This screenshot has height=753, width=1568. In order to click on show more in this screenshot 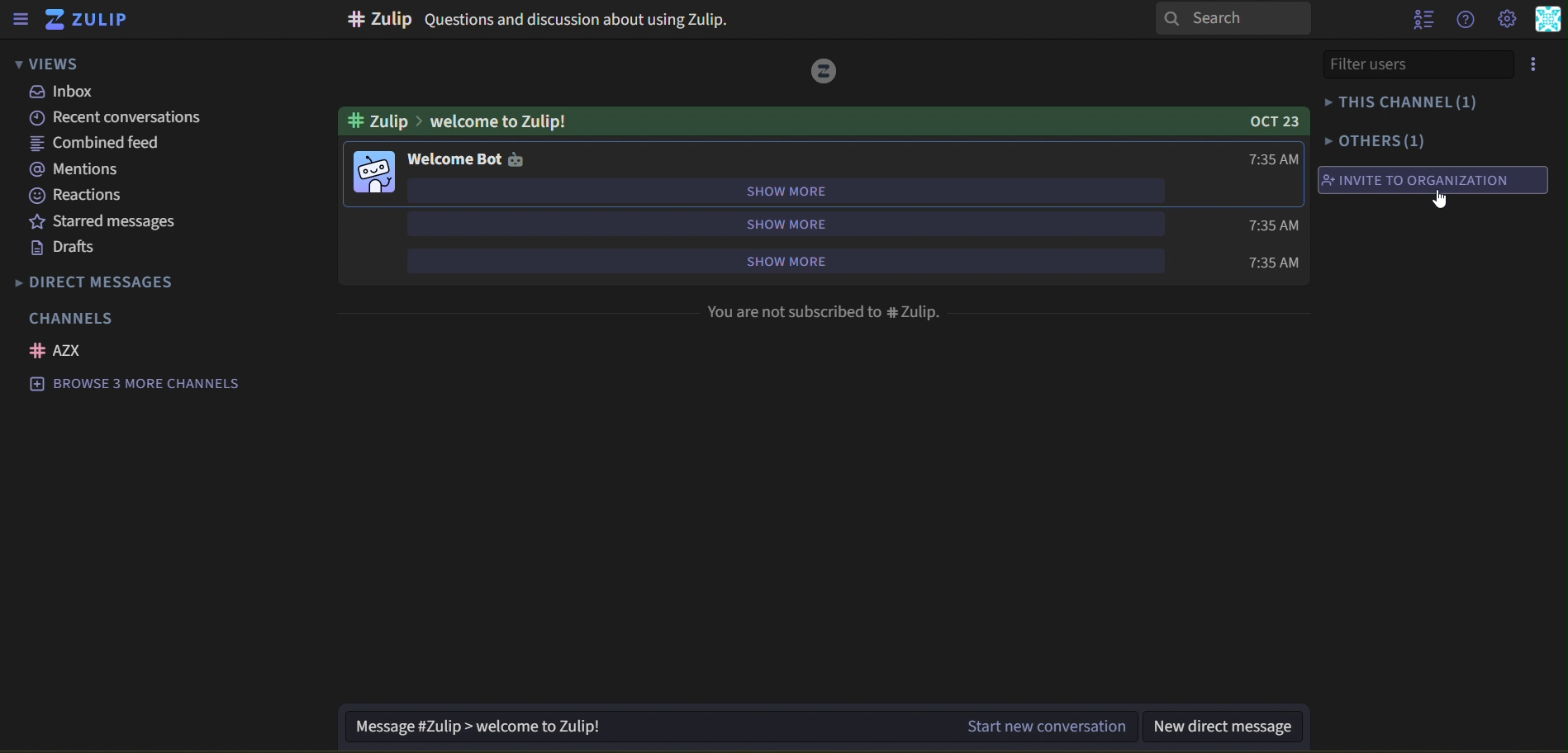, I will do `click(817, 259)`.